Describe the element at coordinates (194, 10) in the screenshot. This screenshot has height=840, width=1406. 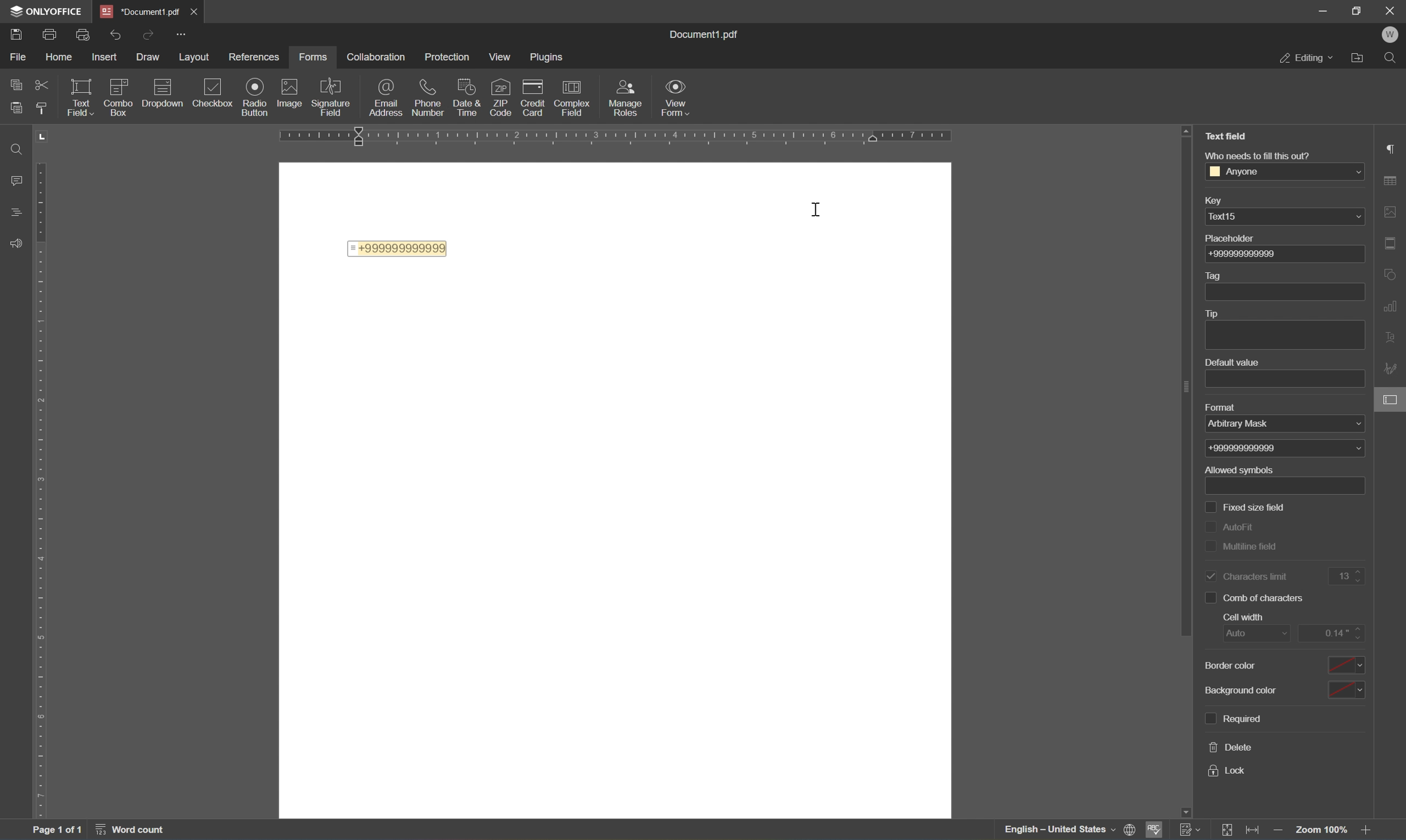
I see `close` at that location.